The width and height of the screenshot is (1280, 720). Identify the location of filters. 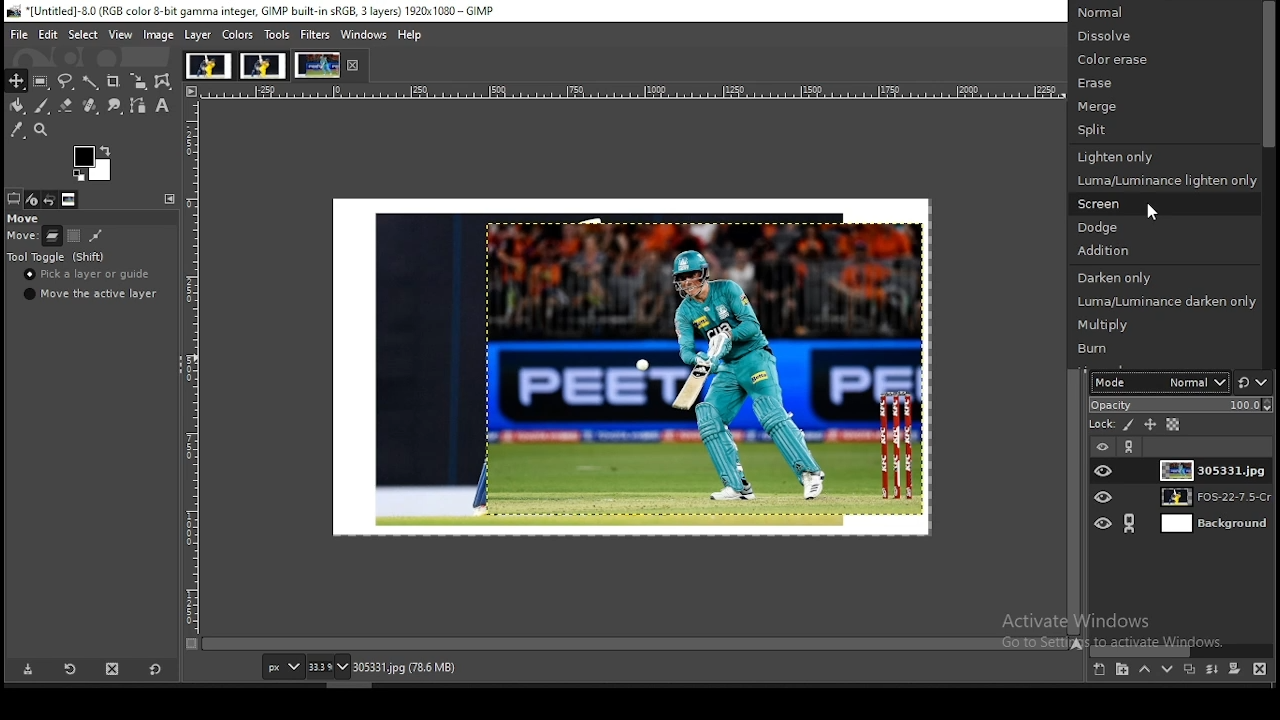
(315, 33).